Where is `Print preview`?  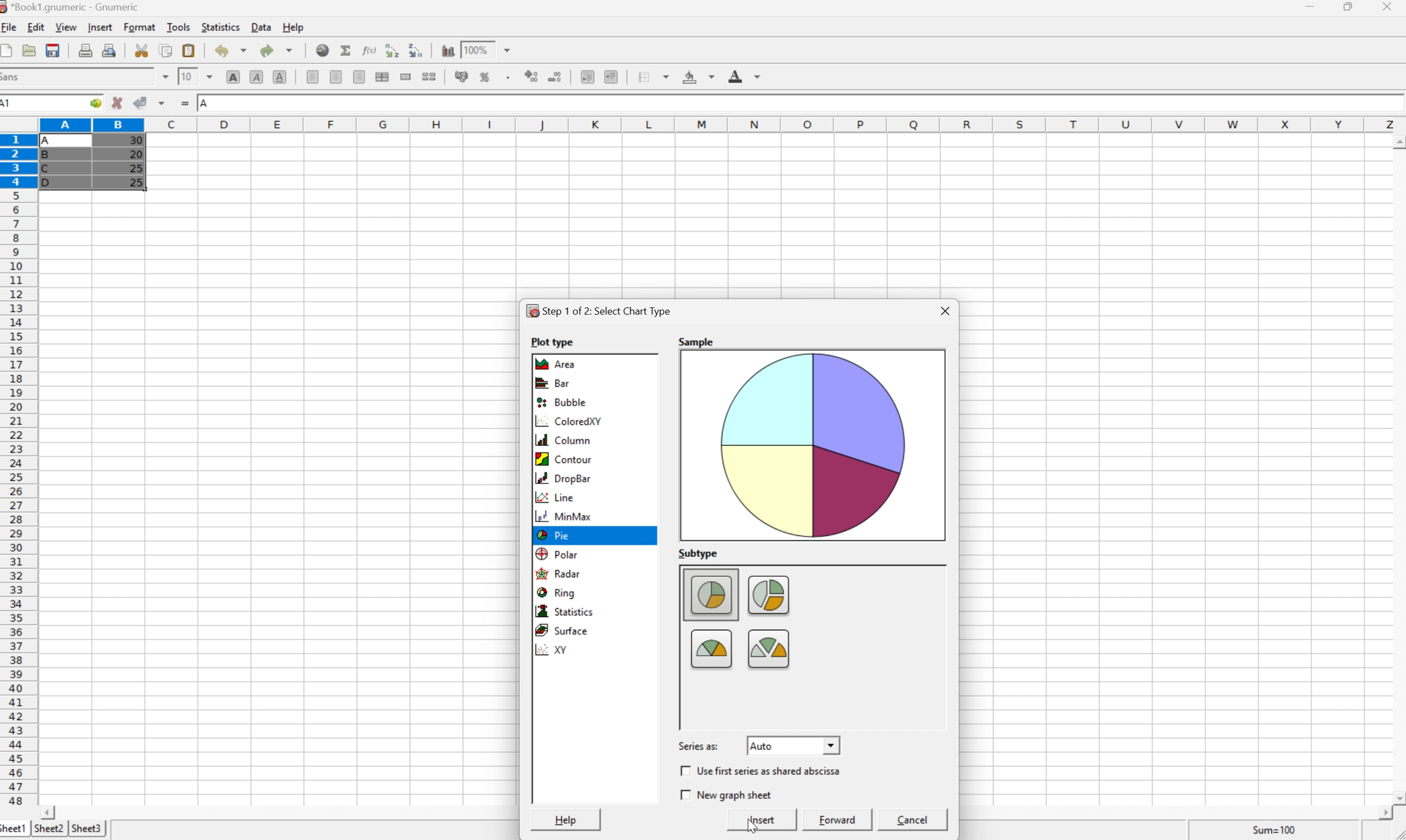 Print preview is located at coordinates (110, 49).